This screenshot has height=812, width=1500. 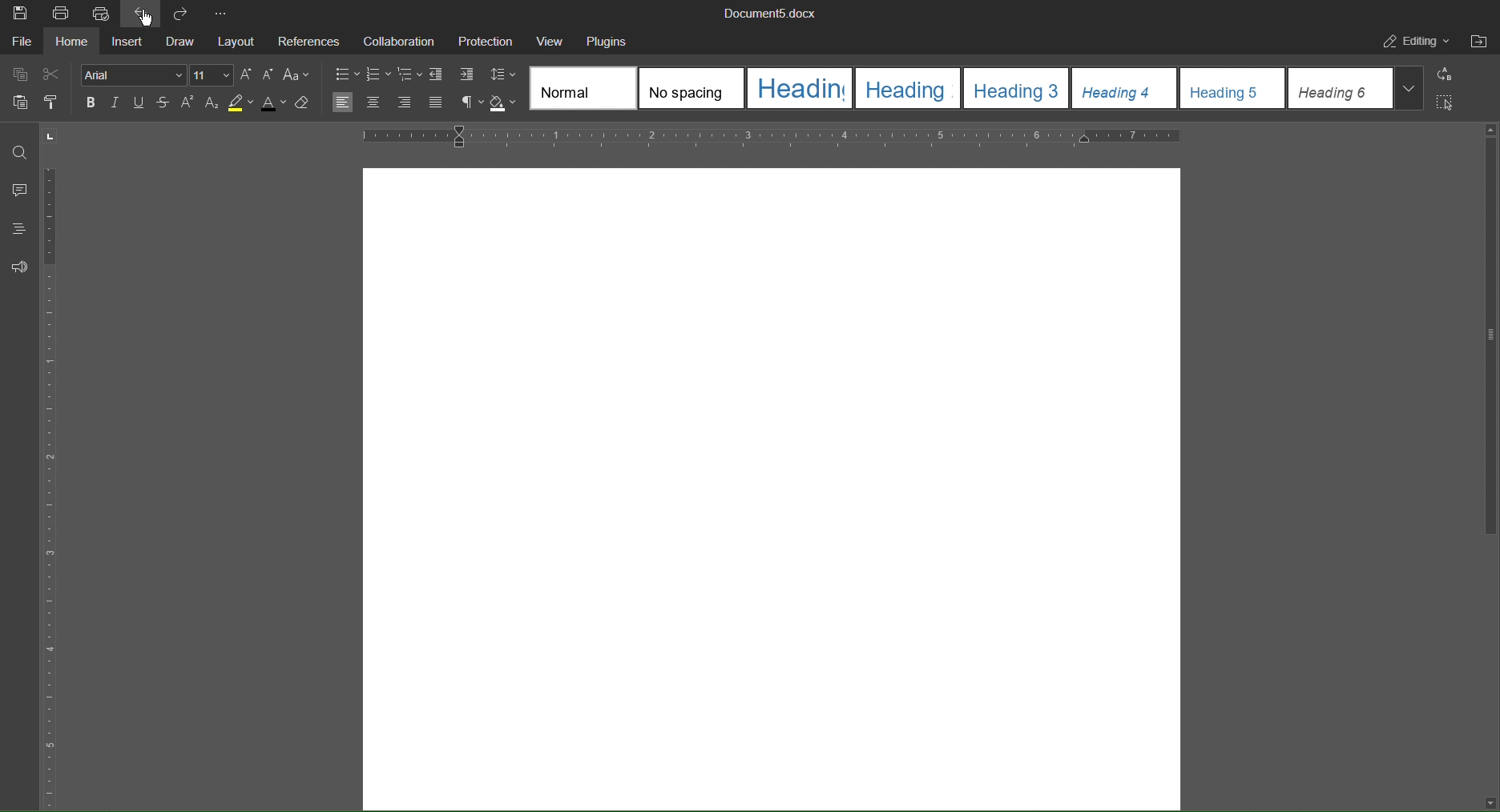 What do you see at coordinates (51, 489) in the screenshot?
I see `Vertical Ruler` at bounding box center [51, 489].